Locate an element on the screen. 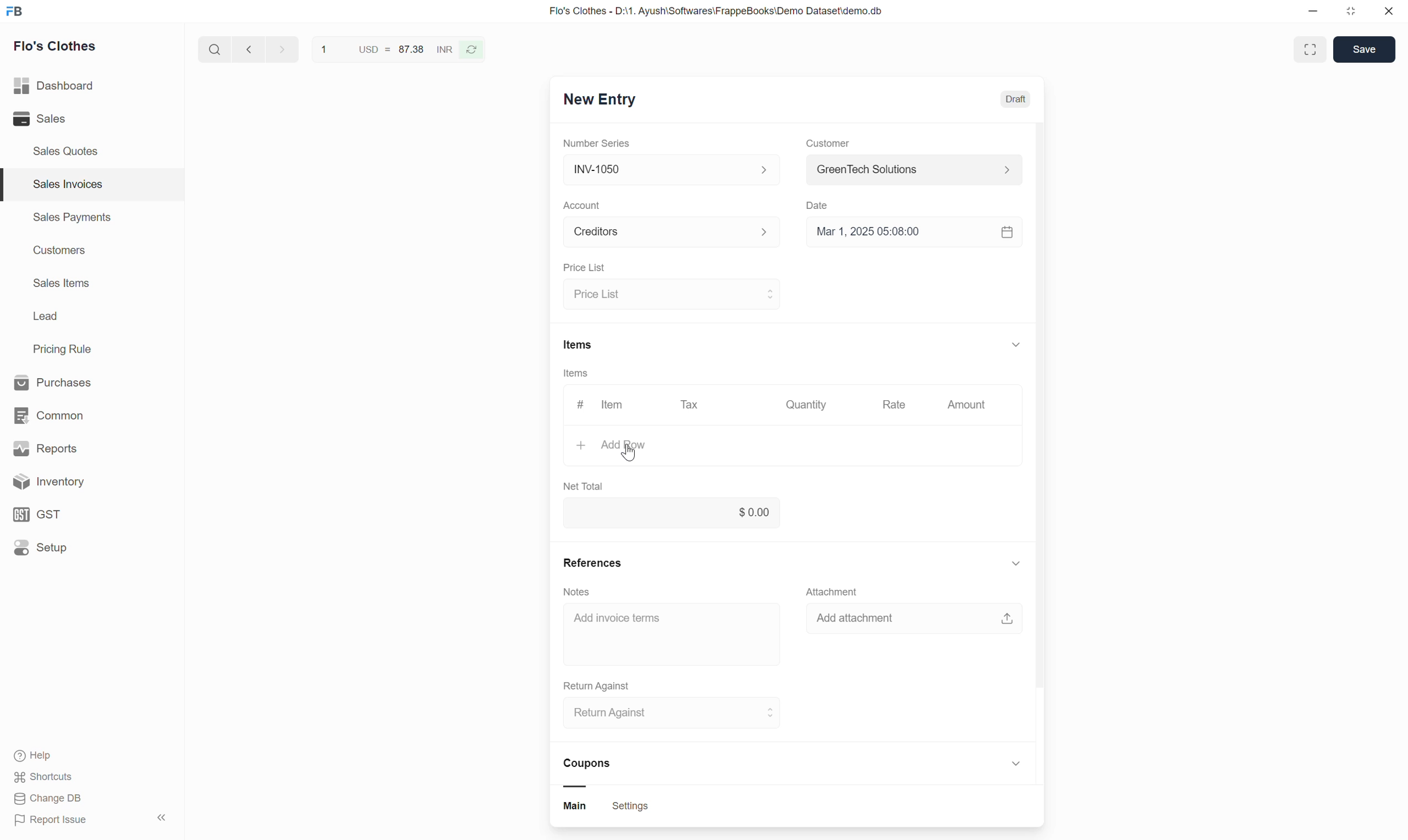 This screenshot has width=1408, height=840. show or hide items is located at coordinates (1016, 342).